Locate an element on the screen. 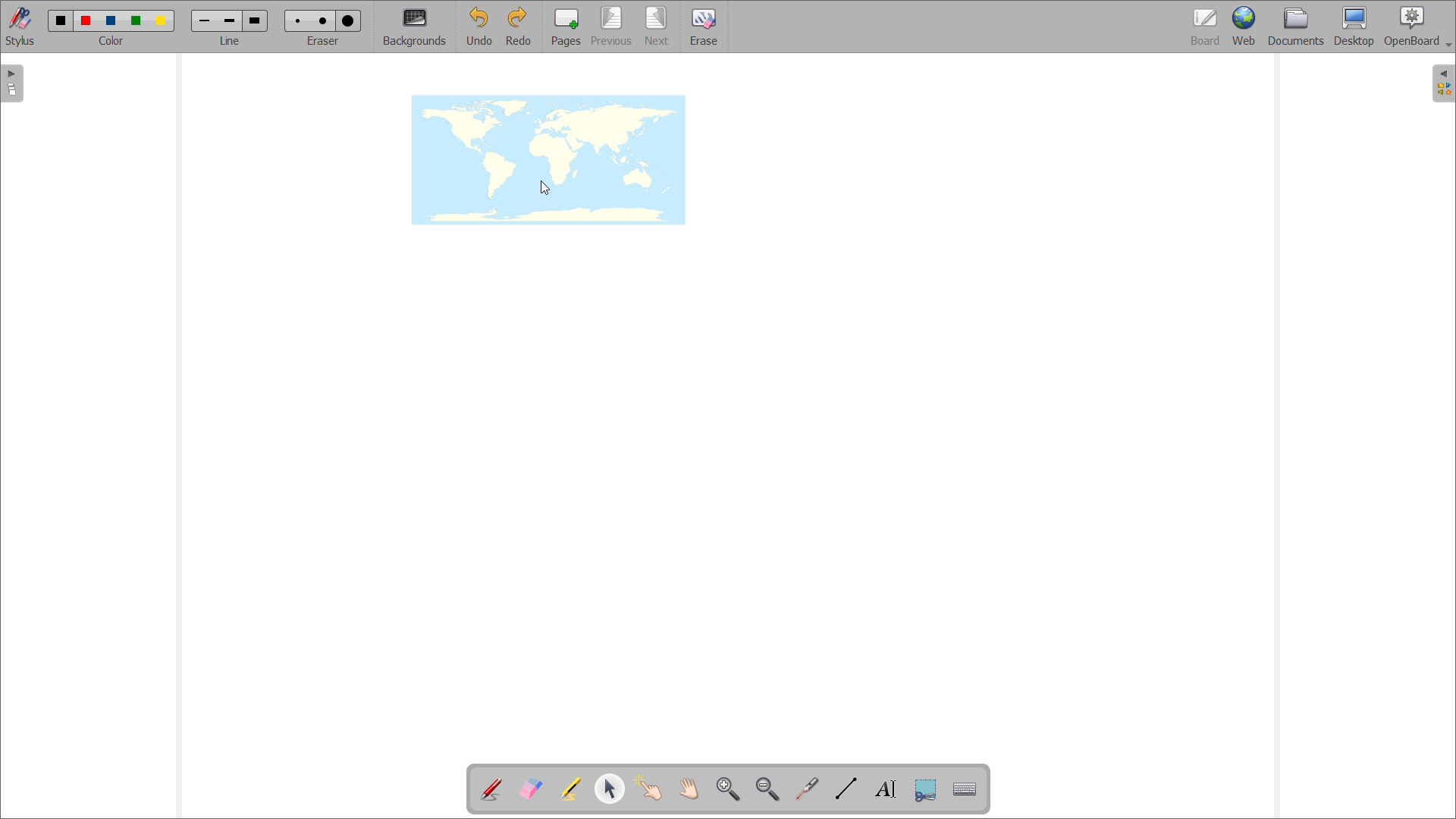 Image resolution: width=1456 pixels, height=819 pixels. next page is located at coordinates (657, 26).